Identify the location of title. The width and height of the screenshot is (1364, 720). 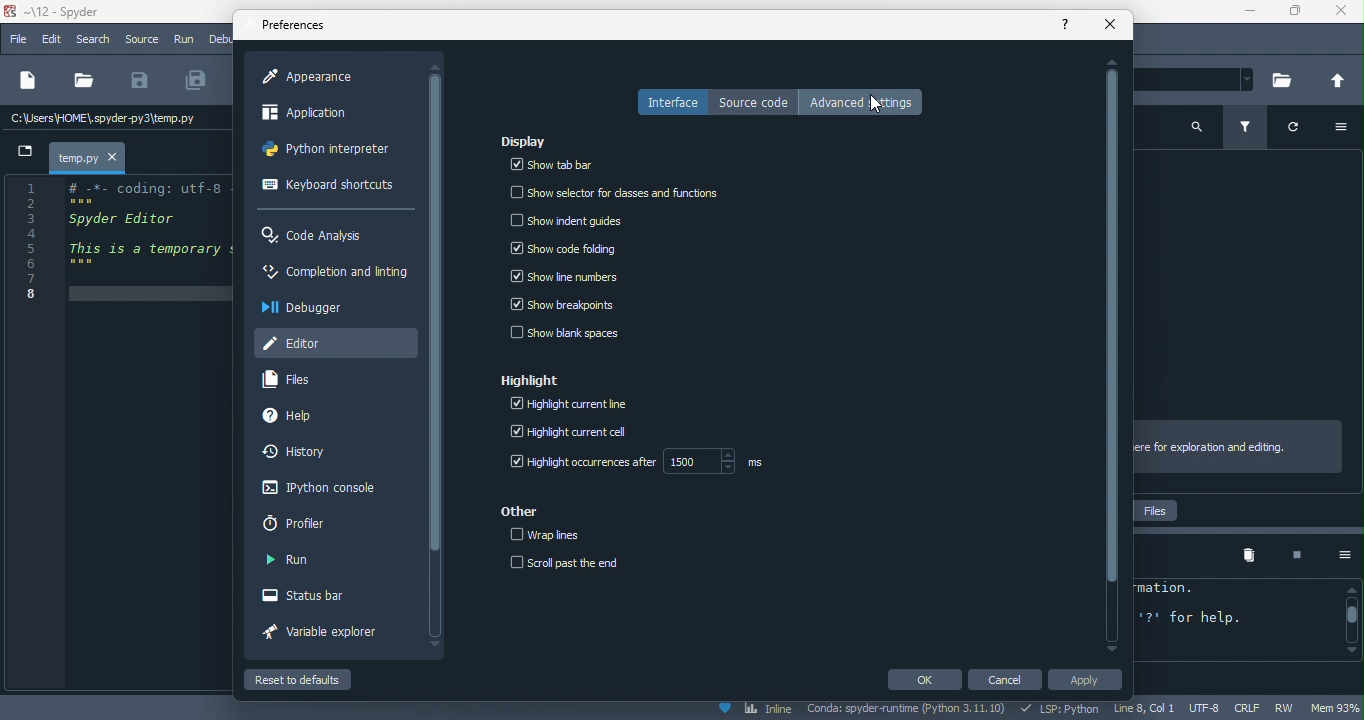
(62, 13).